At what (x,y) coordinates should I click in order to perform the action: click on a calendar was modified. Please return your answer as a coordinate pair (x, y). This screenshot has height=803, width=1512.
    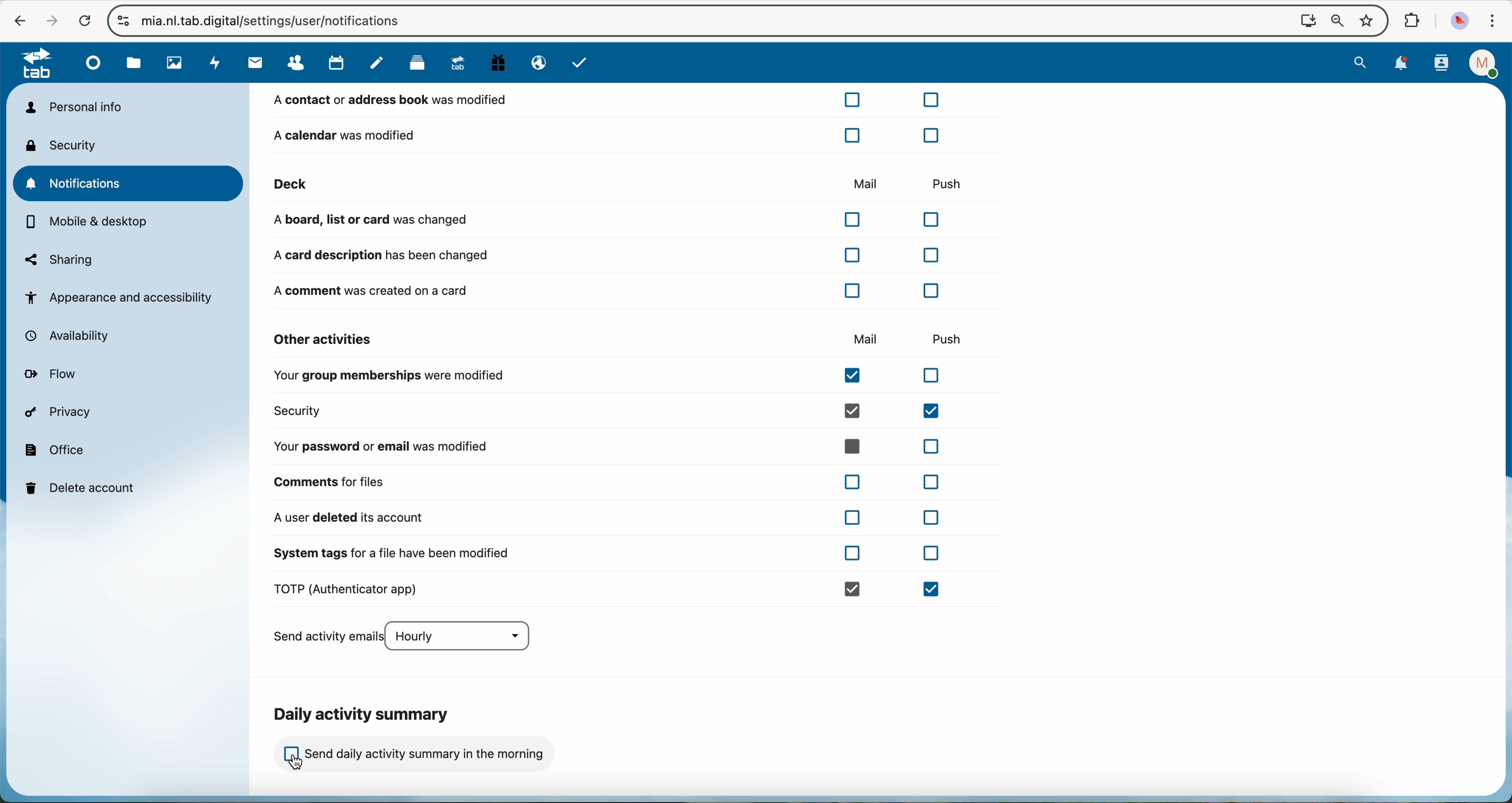
    Looking at the image, I should click on (606, 134).